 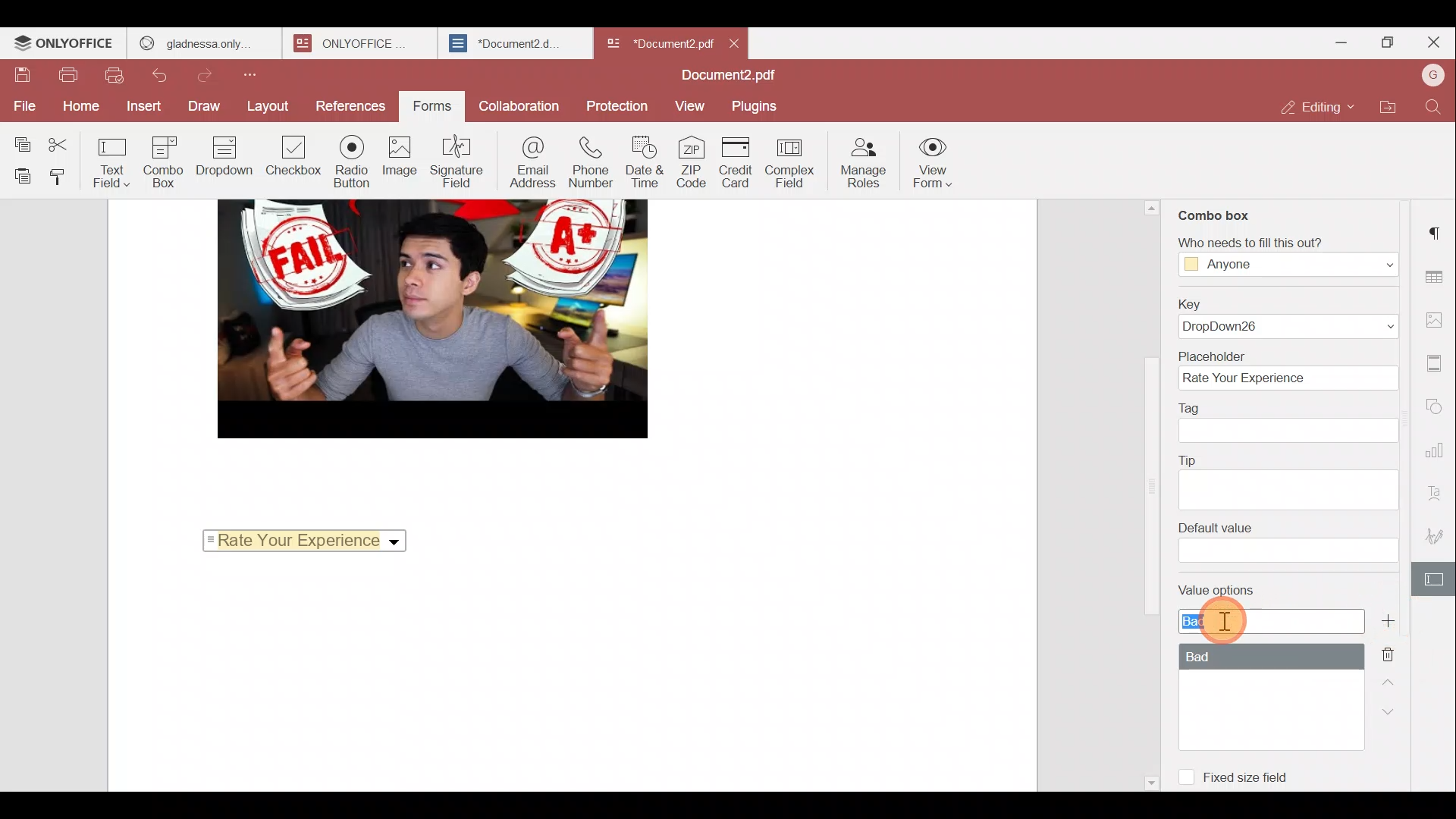 I want to click on Phone number, so click(x=591, y=164).